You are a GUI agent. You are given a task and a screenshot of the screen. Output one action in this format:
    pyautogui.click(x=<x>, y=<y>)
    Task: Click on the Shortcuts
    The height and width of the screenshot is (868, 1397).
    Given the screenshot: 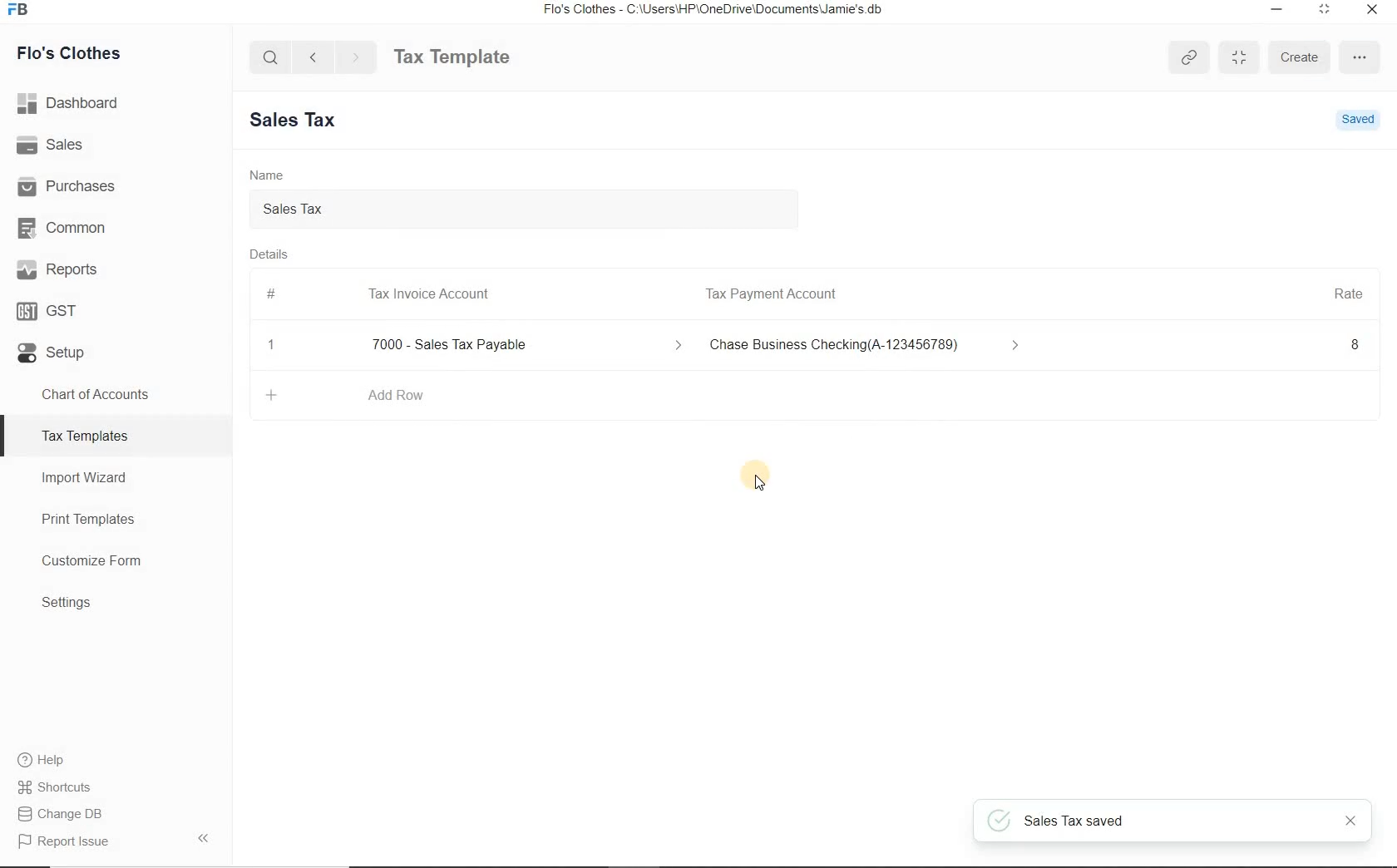 What is the action you would take?
    pyautogui.click(x=116, y=787)
    